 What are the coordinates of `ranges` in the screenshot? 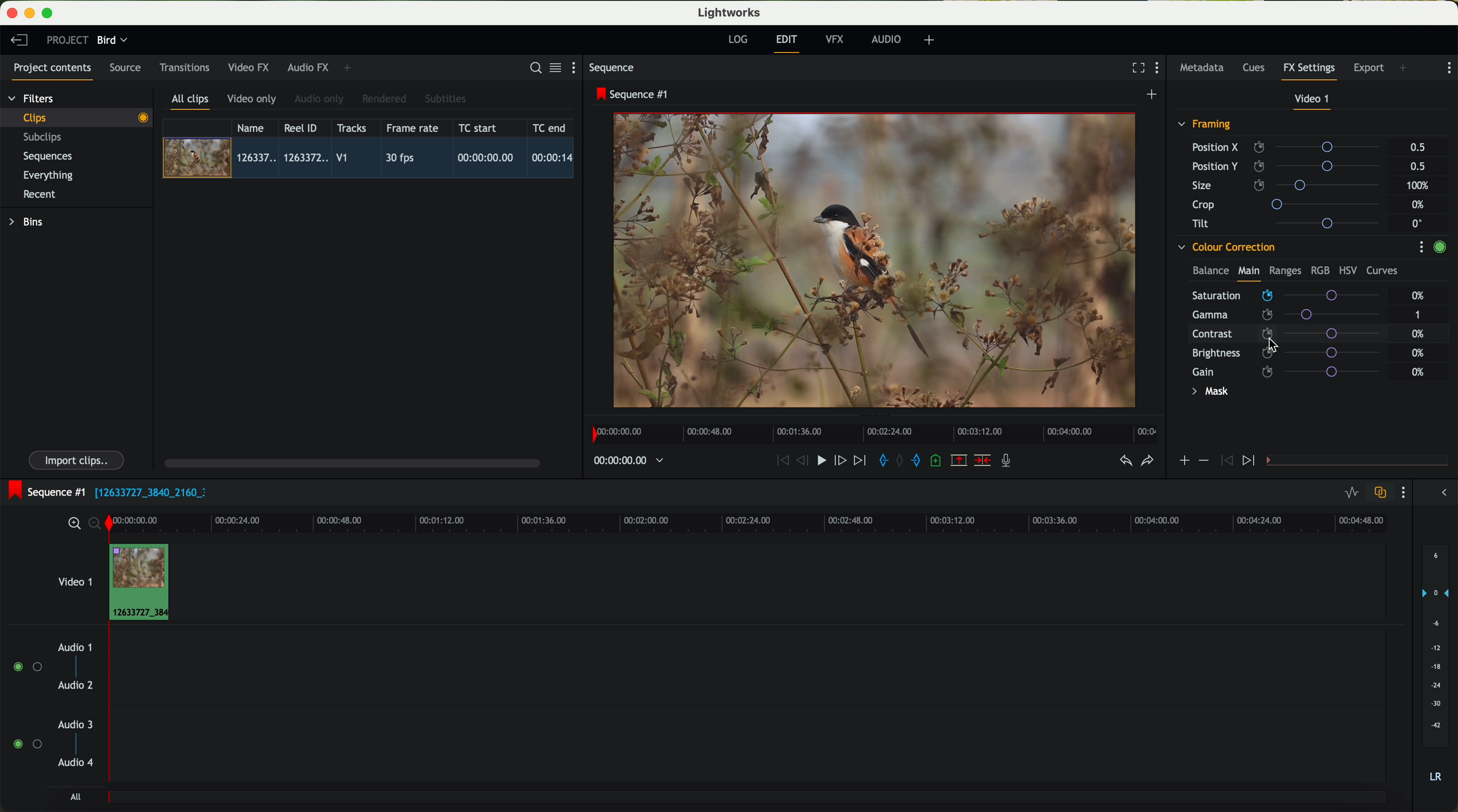 It's located at (1285, 270).